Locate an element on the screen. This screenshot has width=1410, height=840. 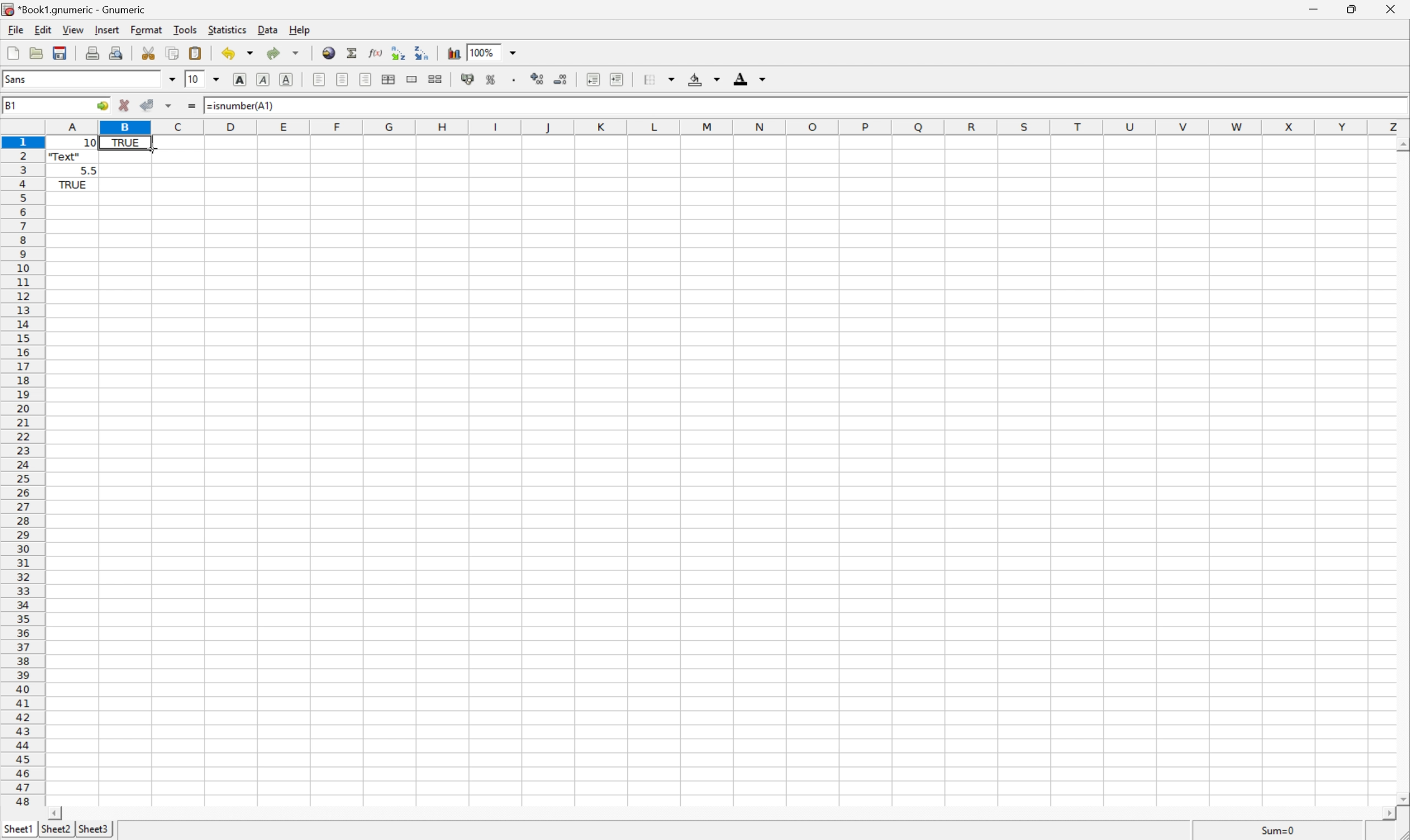
Cut clipboard is located at coordinates (148, 53).